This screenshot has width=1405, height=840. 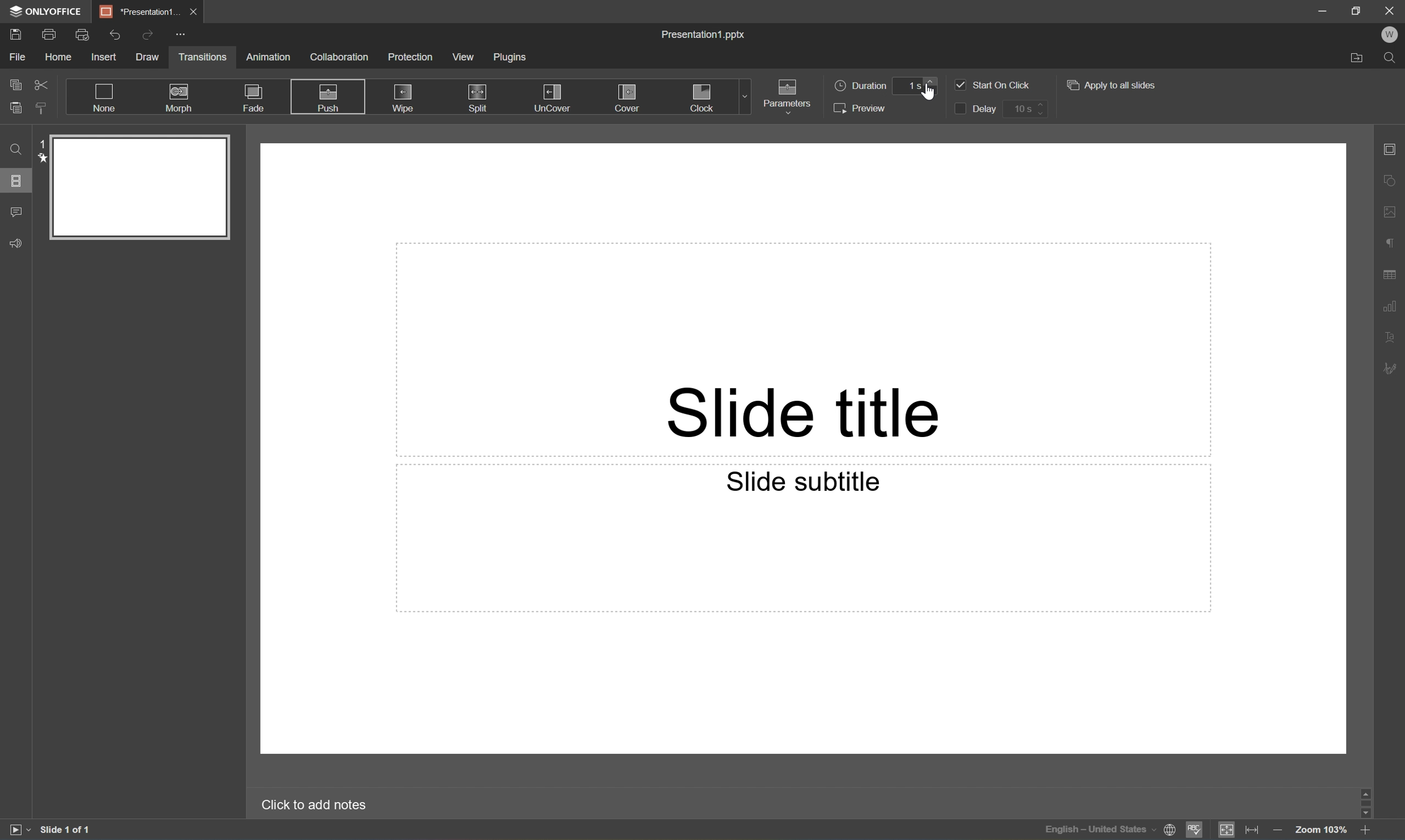 I want to click on Shape settings, so click(x=1392, y=179).